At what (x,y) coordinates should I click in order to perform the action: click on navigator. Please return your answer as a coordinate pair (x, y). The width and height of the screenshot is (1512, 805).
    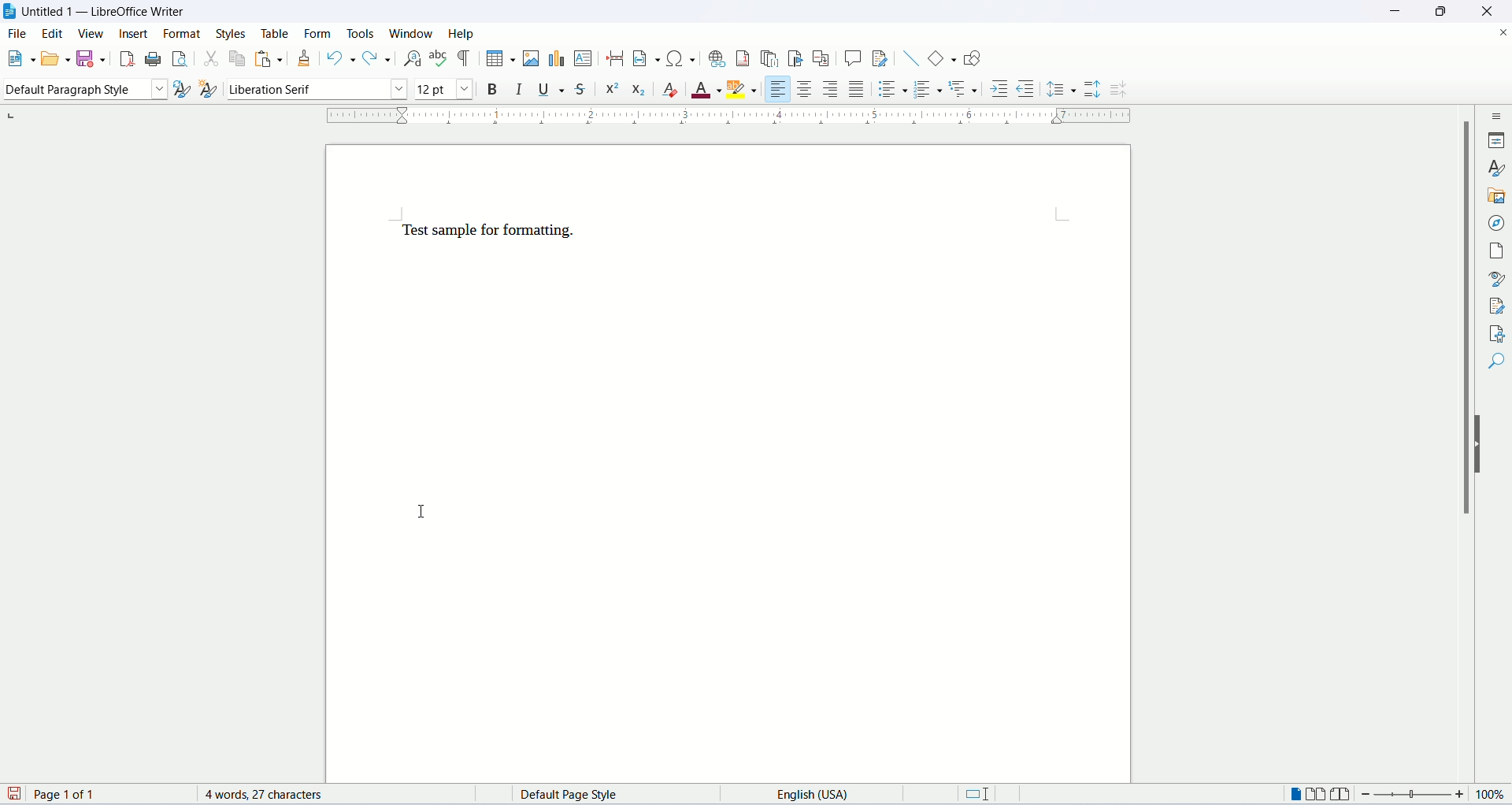
    Looking at the image, I should click on (1495, 224).